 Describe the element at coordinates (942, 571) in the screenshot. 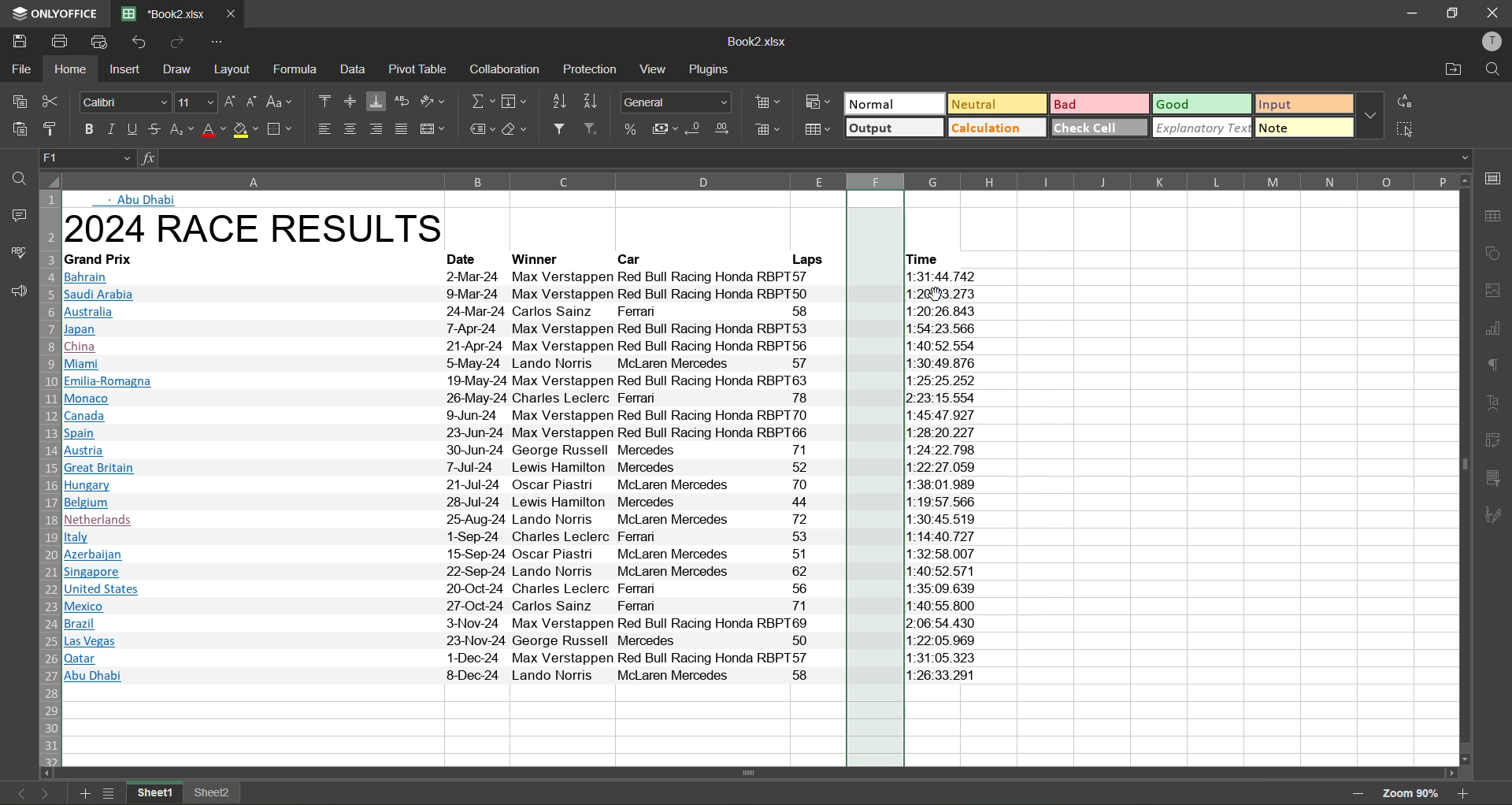

I see `11:40:52. 571` at that location.